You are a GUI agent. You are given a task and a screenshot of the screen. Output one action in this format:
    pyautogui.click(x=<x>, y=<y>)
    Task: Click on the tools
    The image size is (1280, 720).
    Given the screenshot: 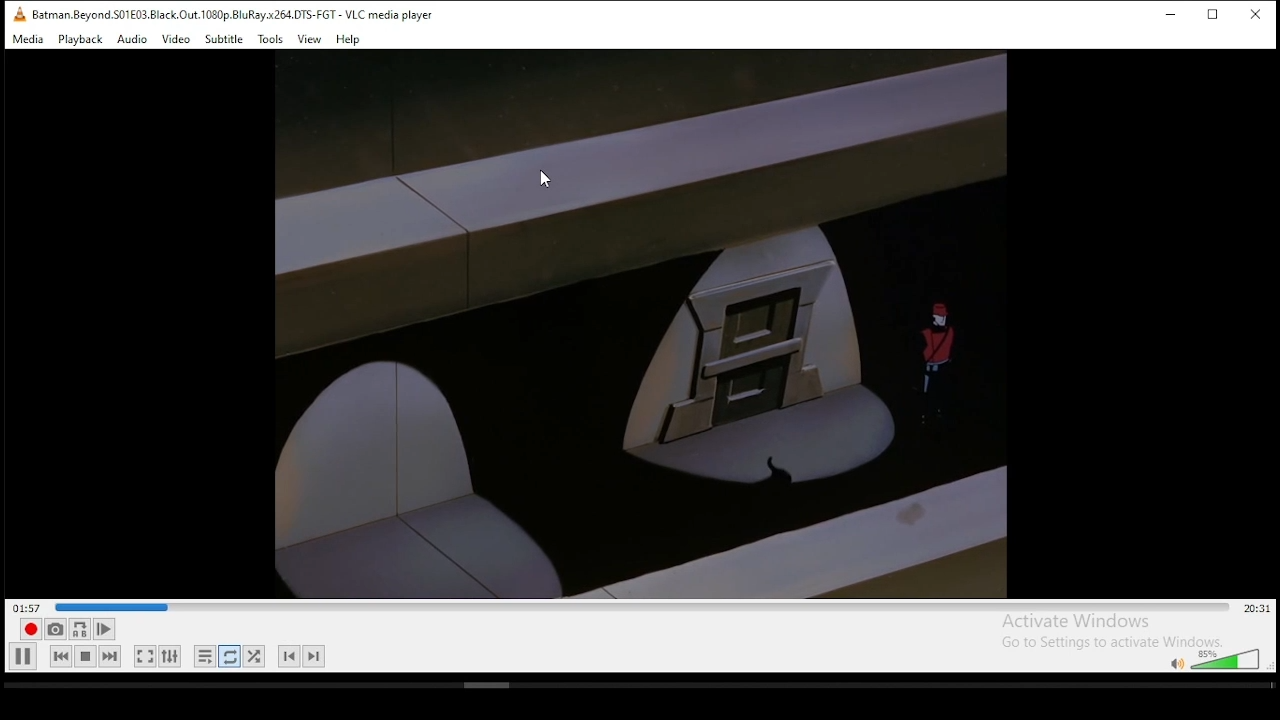 What is the action you would take?
    pyautogui.click(x=271, y=40)
    